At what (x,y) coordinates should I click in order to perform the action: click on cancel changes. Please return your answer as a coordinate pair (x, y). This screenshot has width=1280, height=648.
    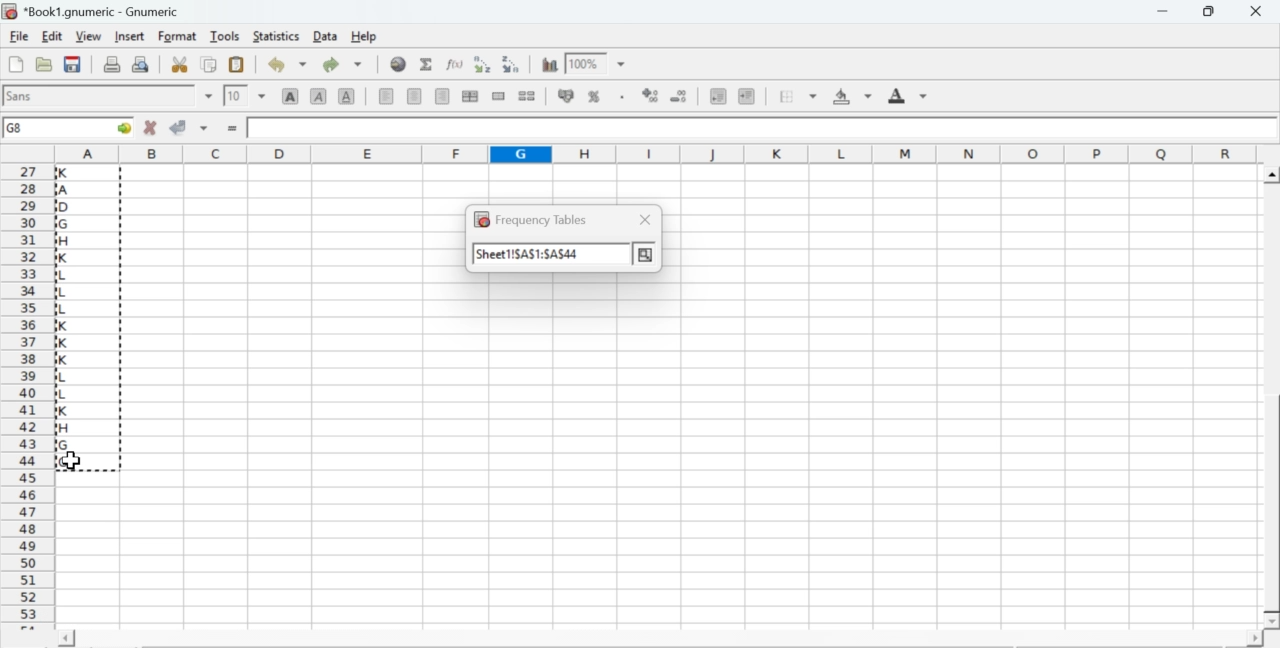
    Looking at the image, I should click on (151, 127).